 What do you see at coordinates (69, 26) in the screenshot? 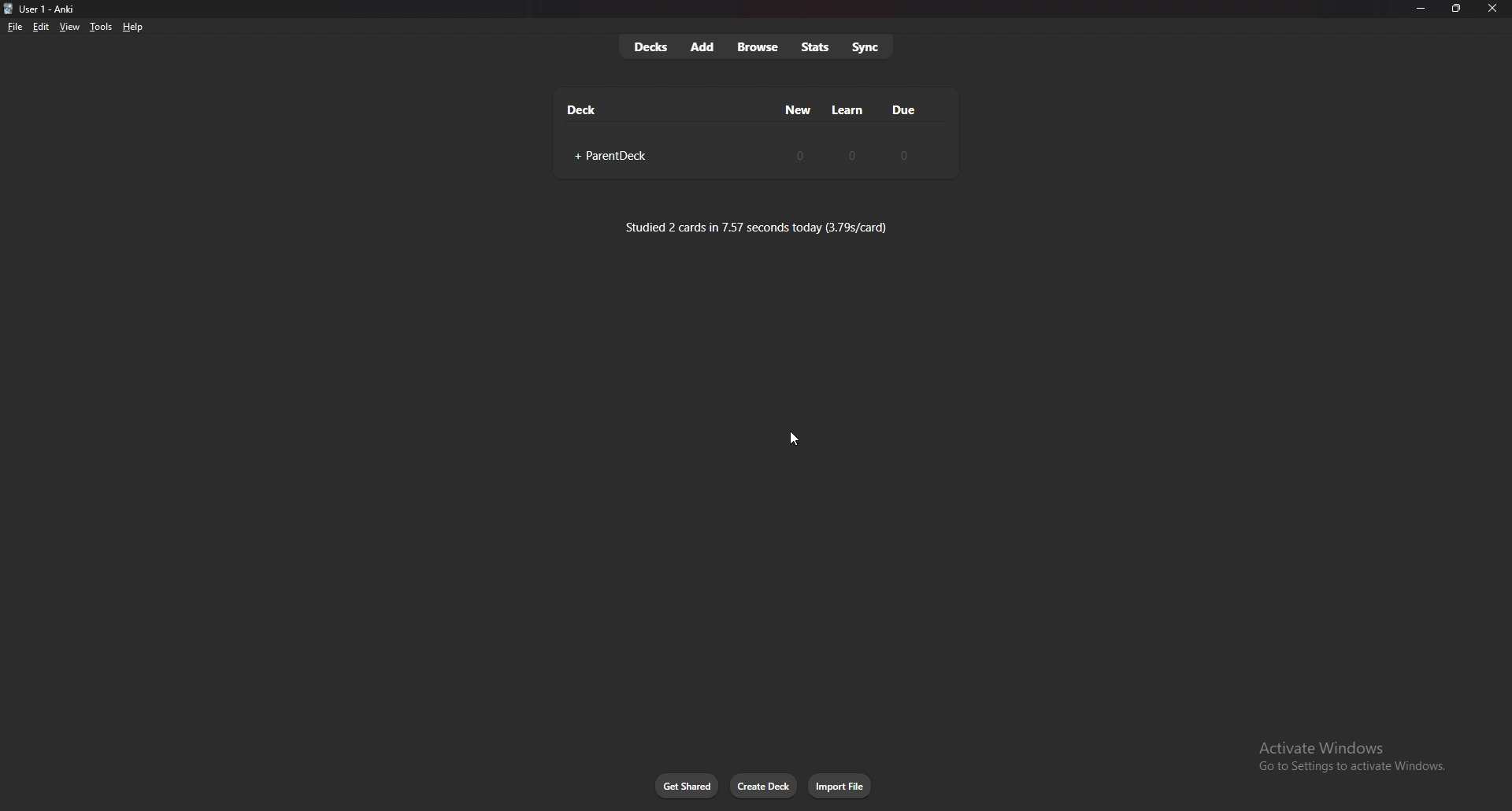
I see `view` at bounding box center [69, 26].